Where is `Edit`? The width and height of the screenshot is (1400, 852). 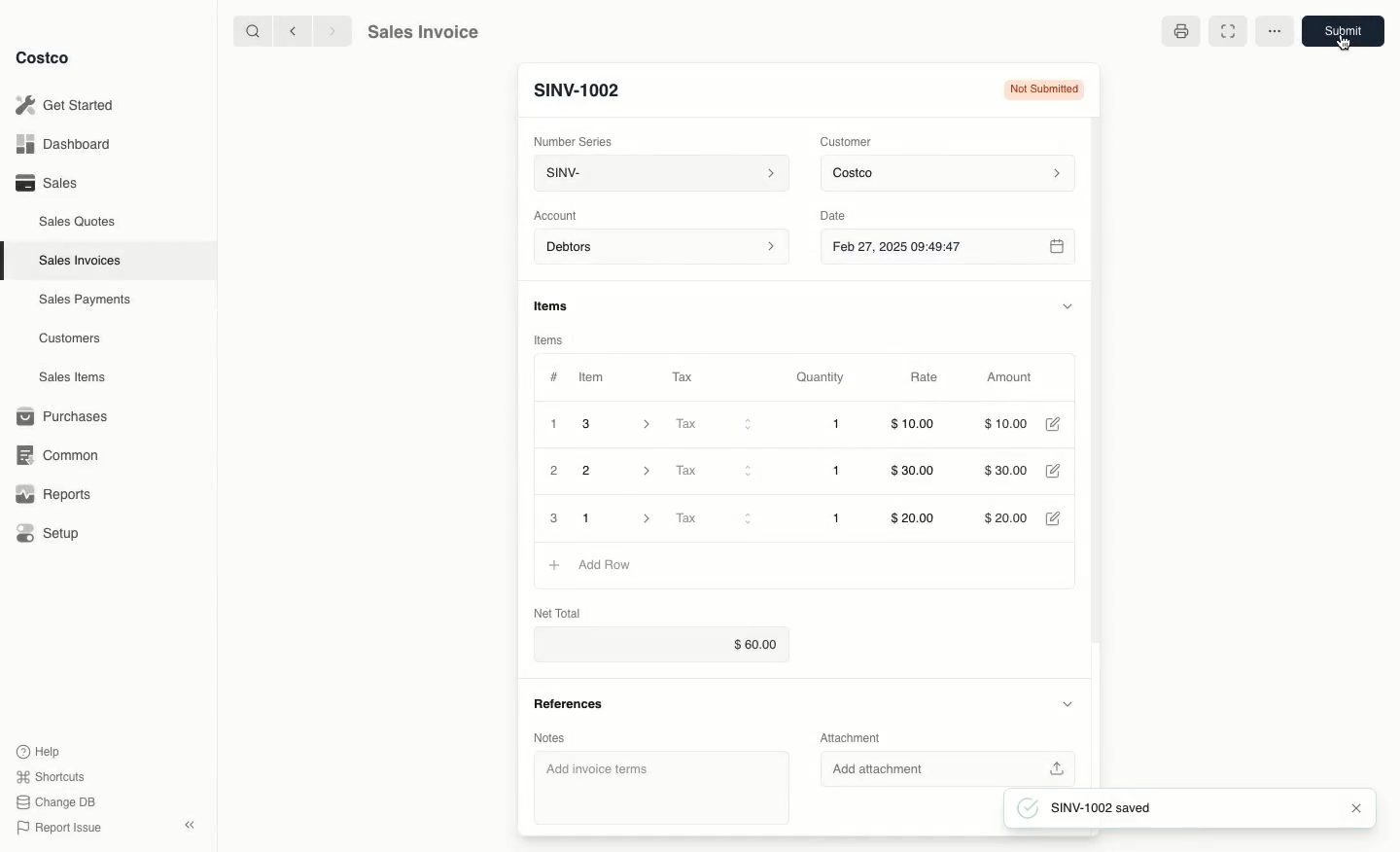
Edit is located at coordinates (1057, 472).